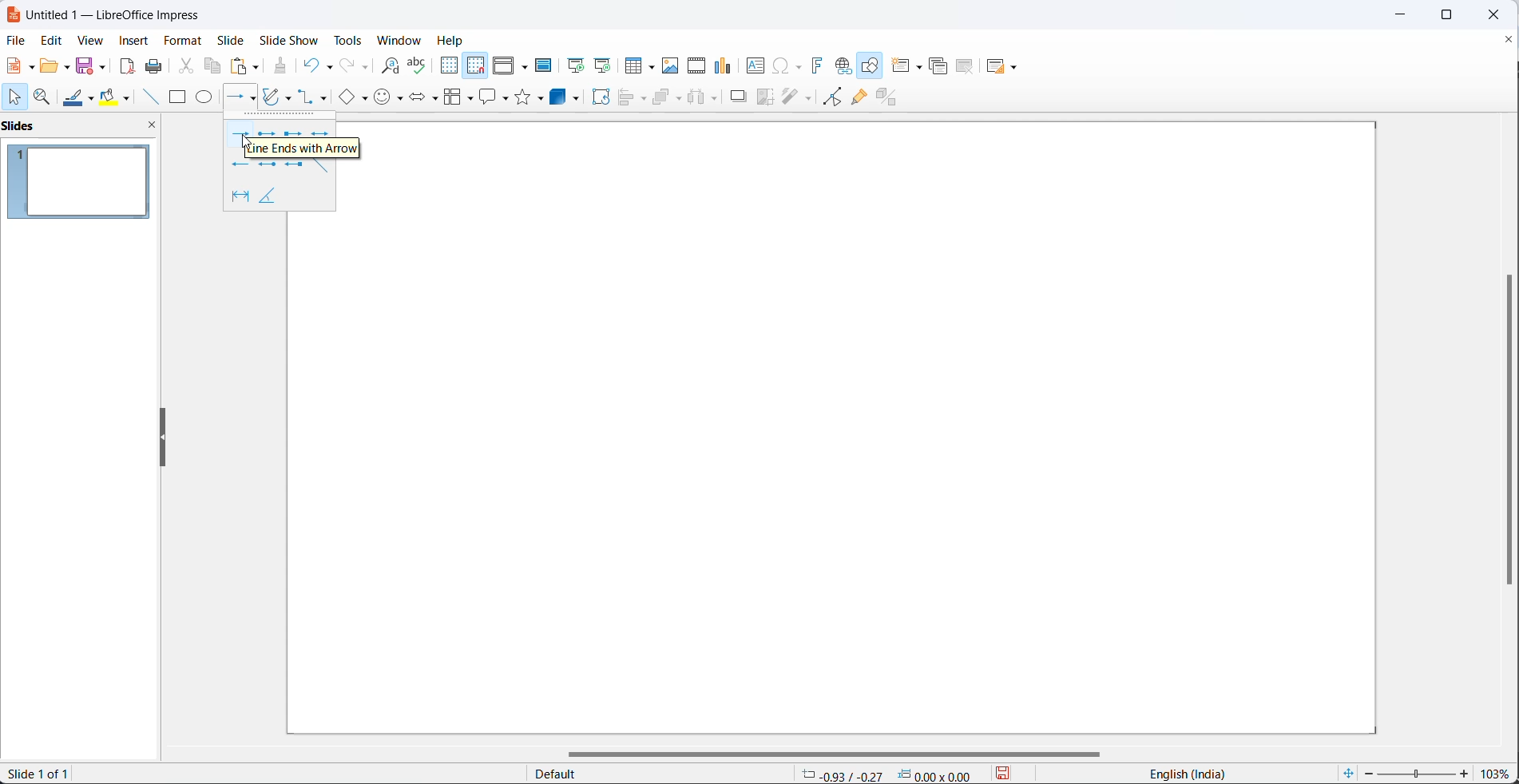 This screenshot has height=784, width=1519. I want to click on clone formatting, so click(280, 65).